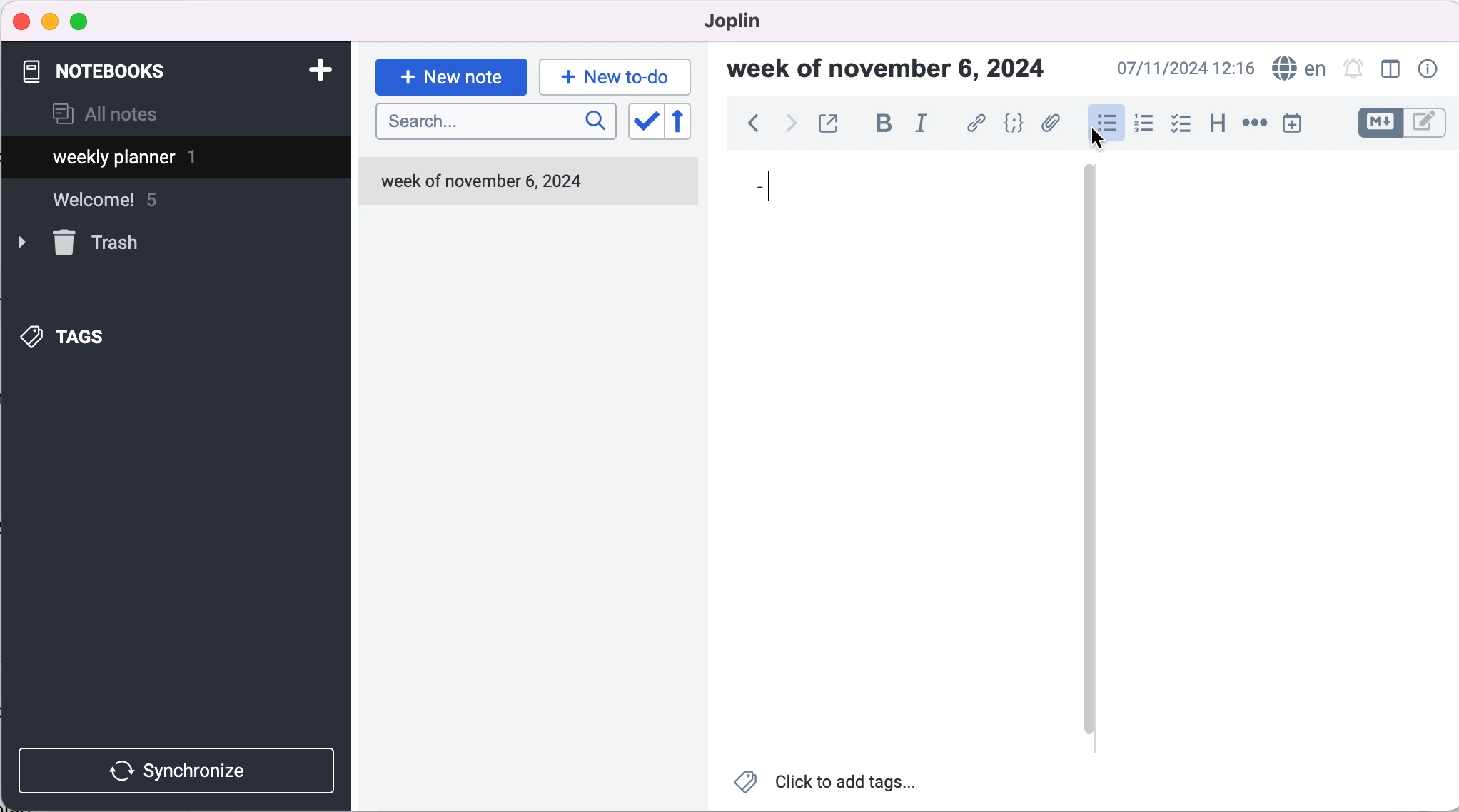 Image resolution: width=1459 pixels, height=812 pixels. What do you see at coordinates (1354, 71) in the screenshot?
I see `set alarm` at bounding box center [1354, 71].